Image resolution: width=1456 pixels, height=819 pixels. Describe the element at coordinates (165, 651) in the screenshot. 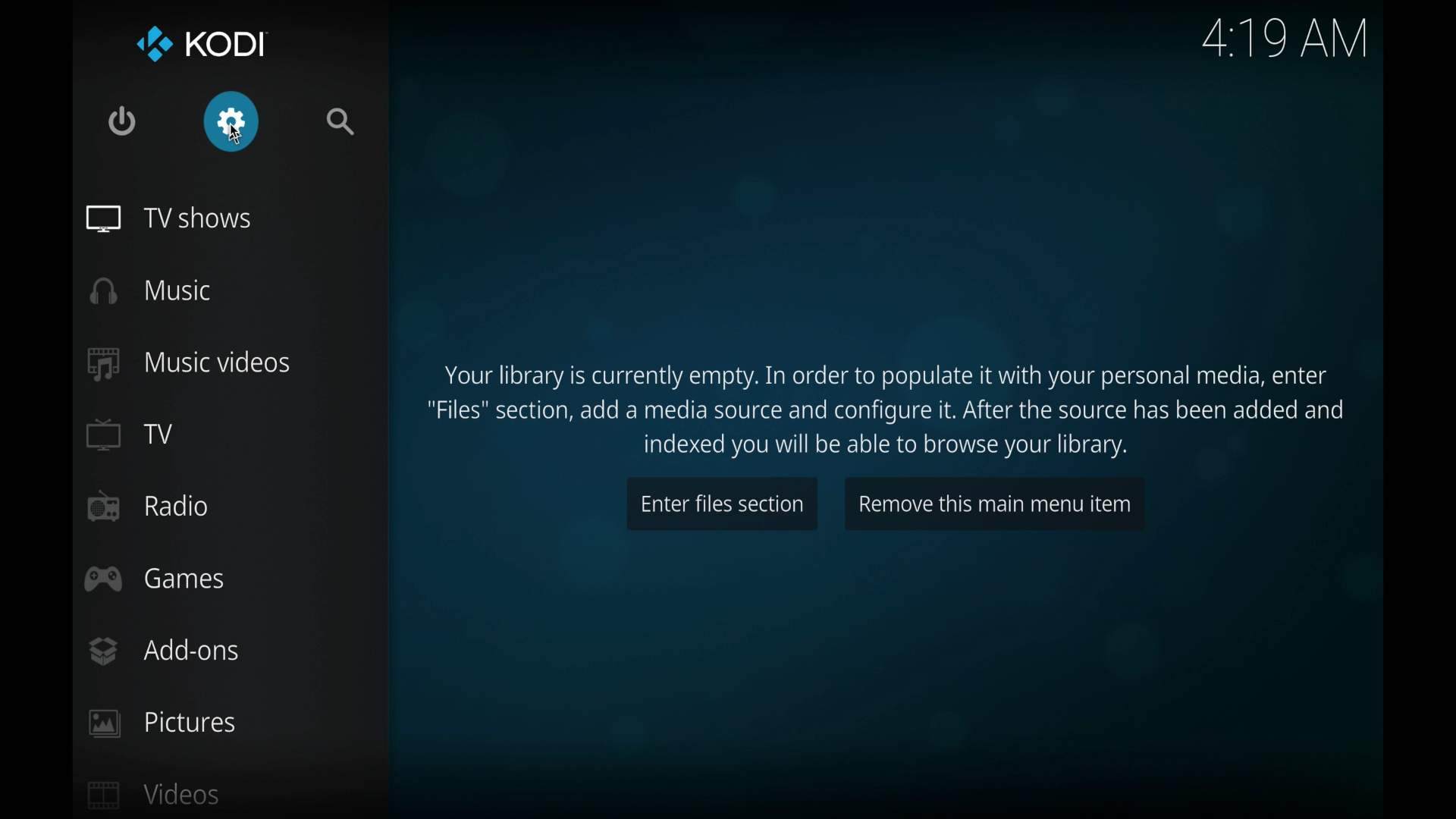

I see `add-ons` at that location.